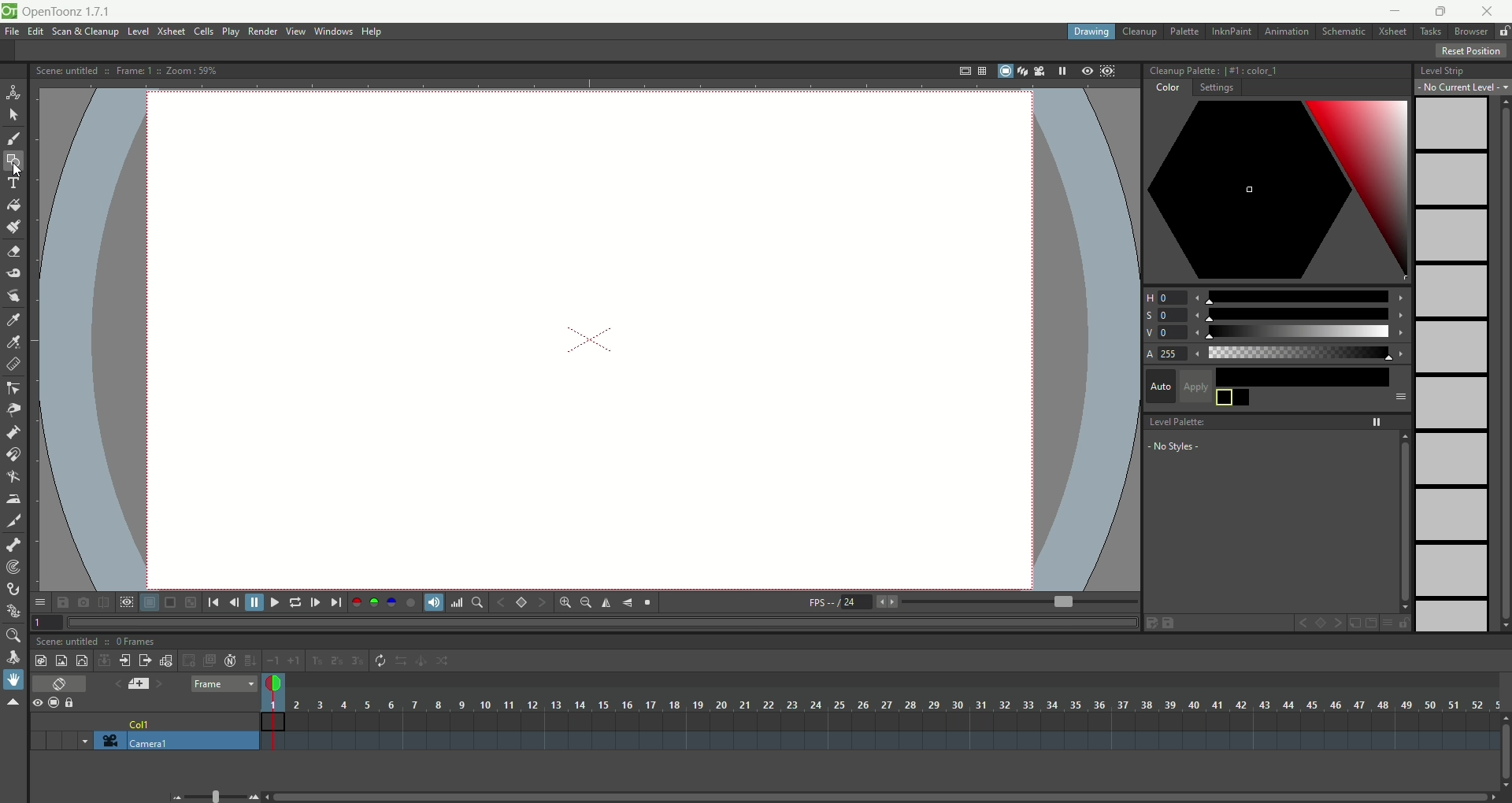  What do you see at coordinates (13, 498) in the screenshot?
I see `iron` at bounding box center [13, 498].